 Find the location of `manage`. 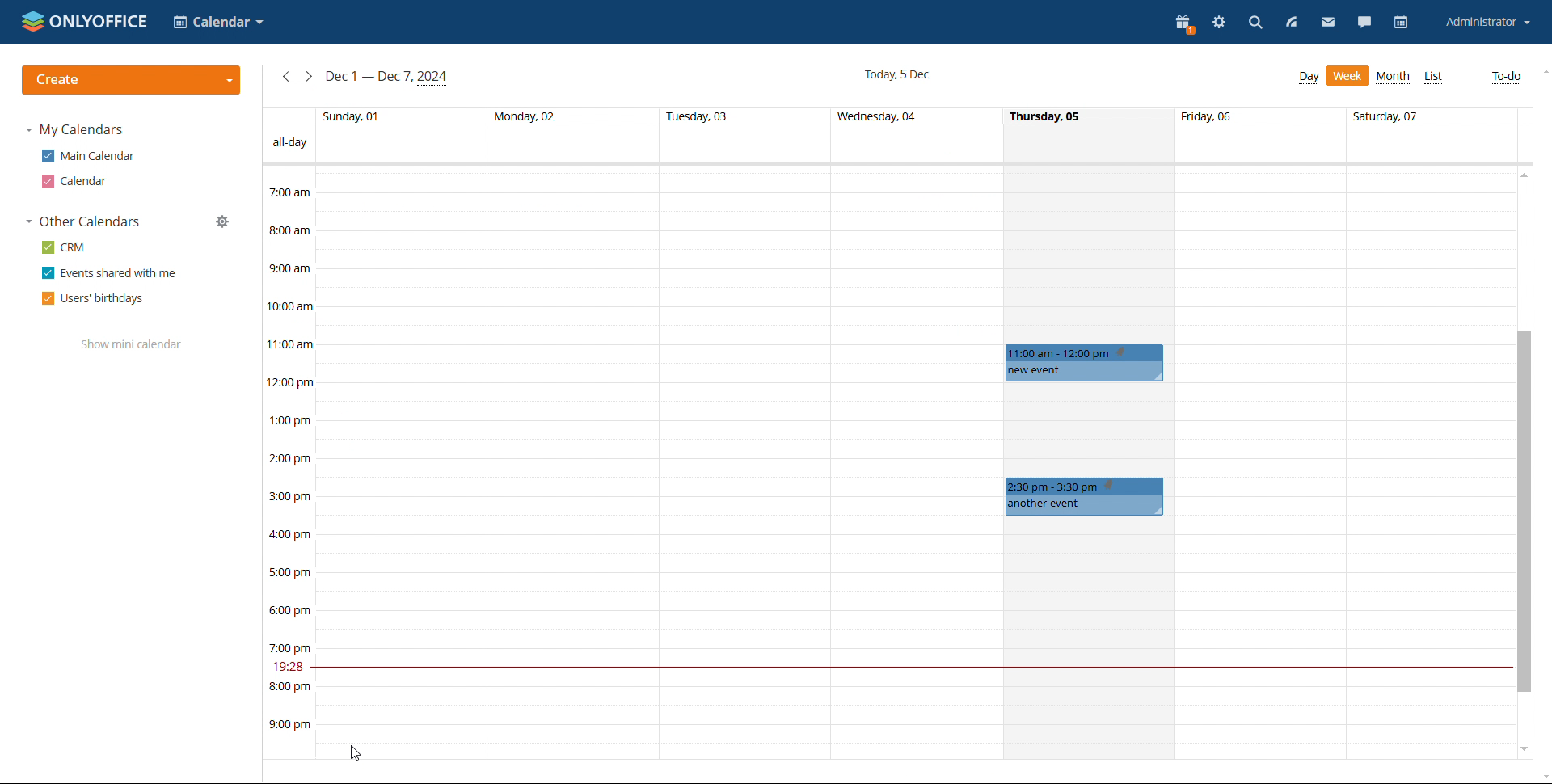

manage is located at coordinates (224, 221).